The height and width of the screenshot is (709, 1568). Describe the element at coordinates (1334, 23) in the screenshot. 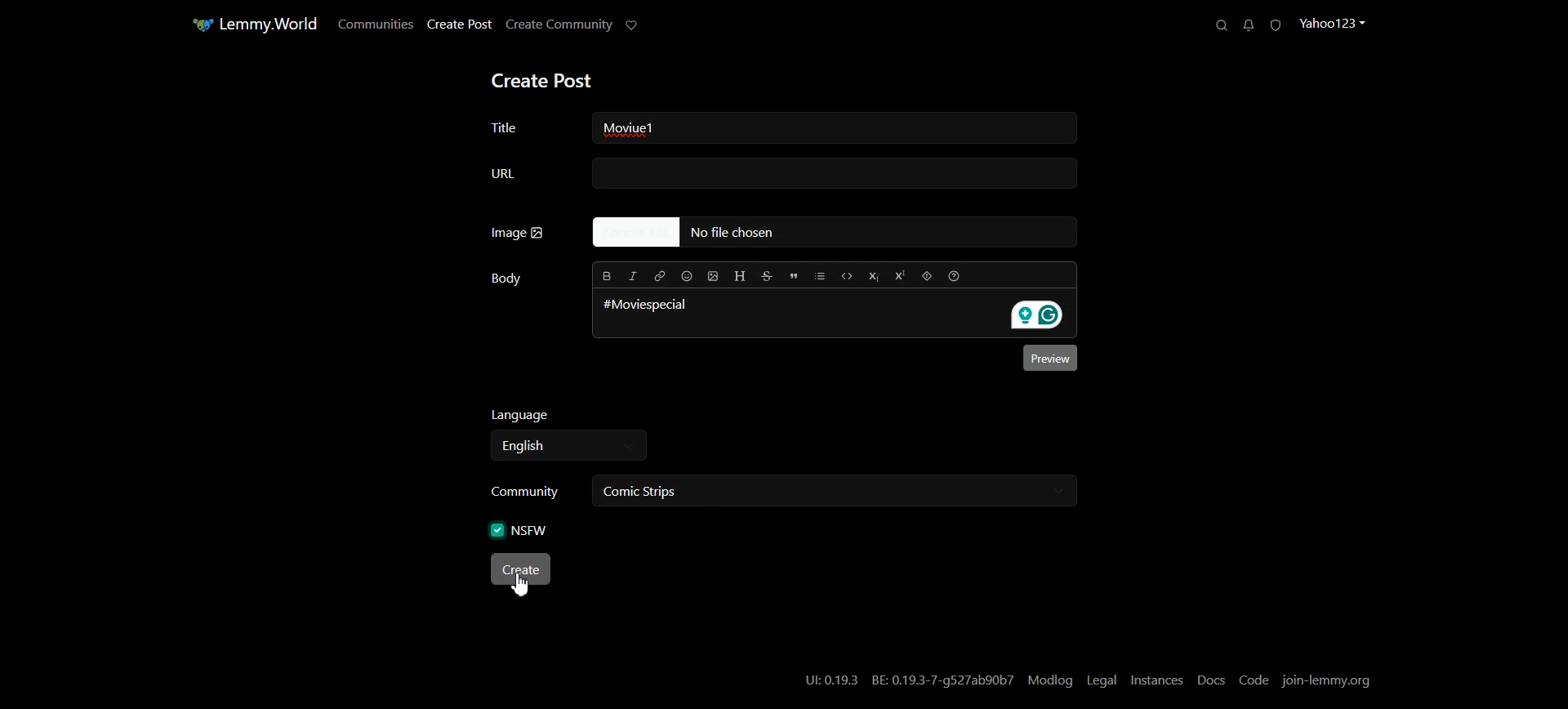

I see `Profile` at that location.